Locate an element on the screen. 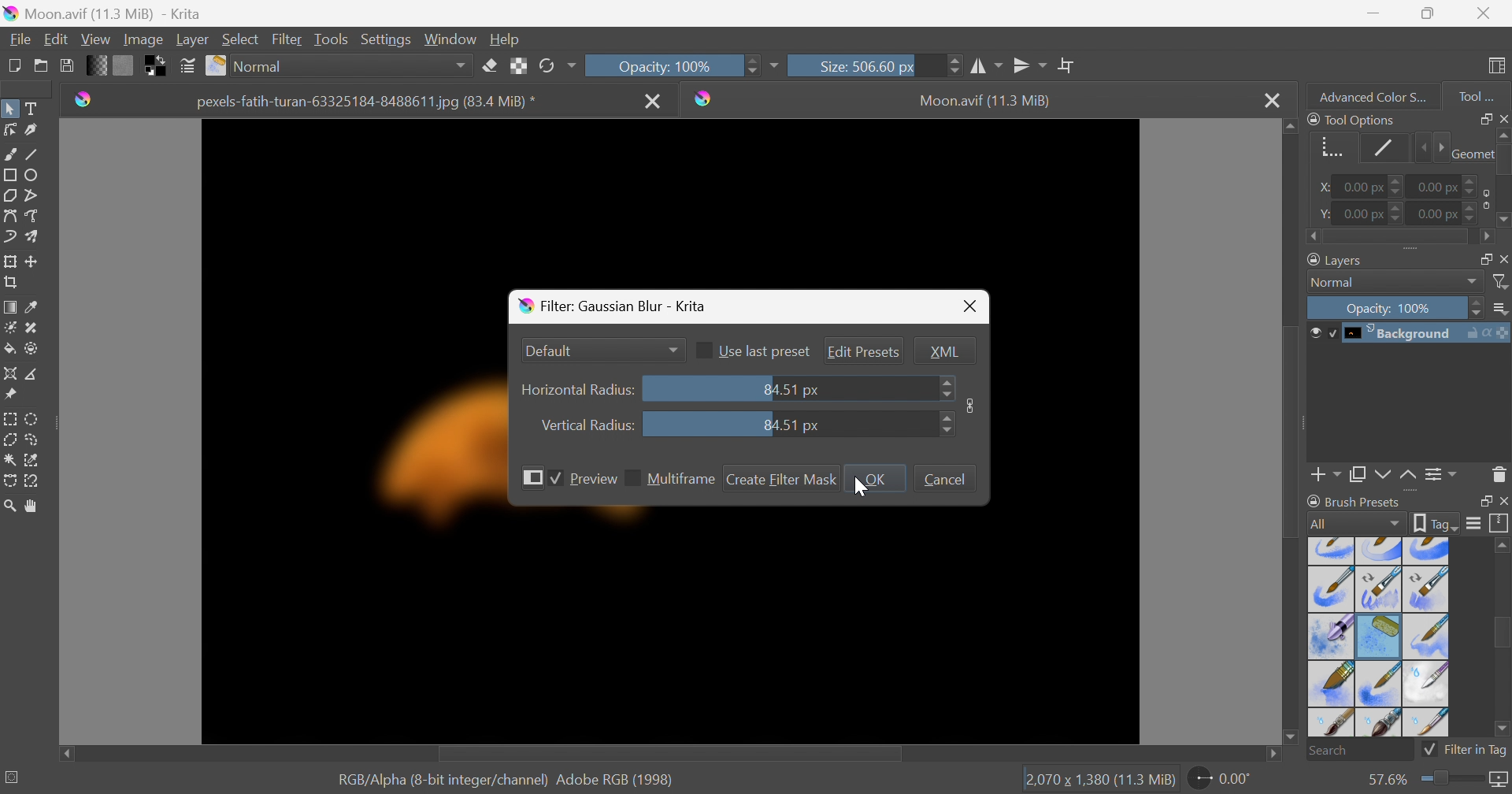 The height and width of the screenshot is (794, 1512). Scroll bar is located at coordinates (1503, 633).